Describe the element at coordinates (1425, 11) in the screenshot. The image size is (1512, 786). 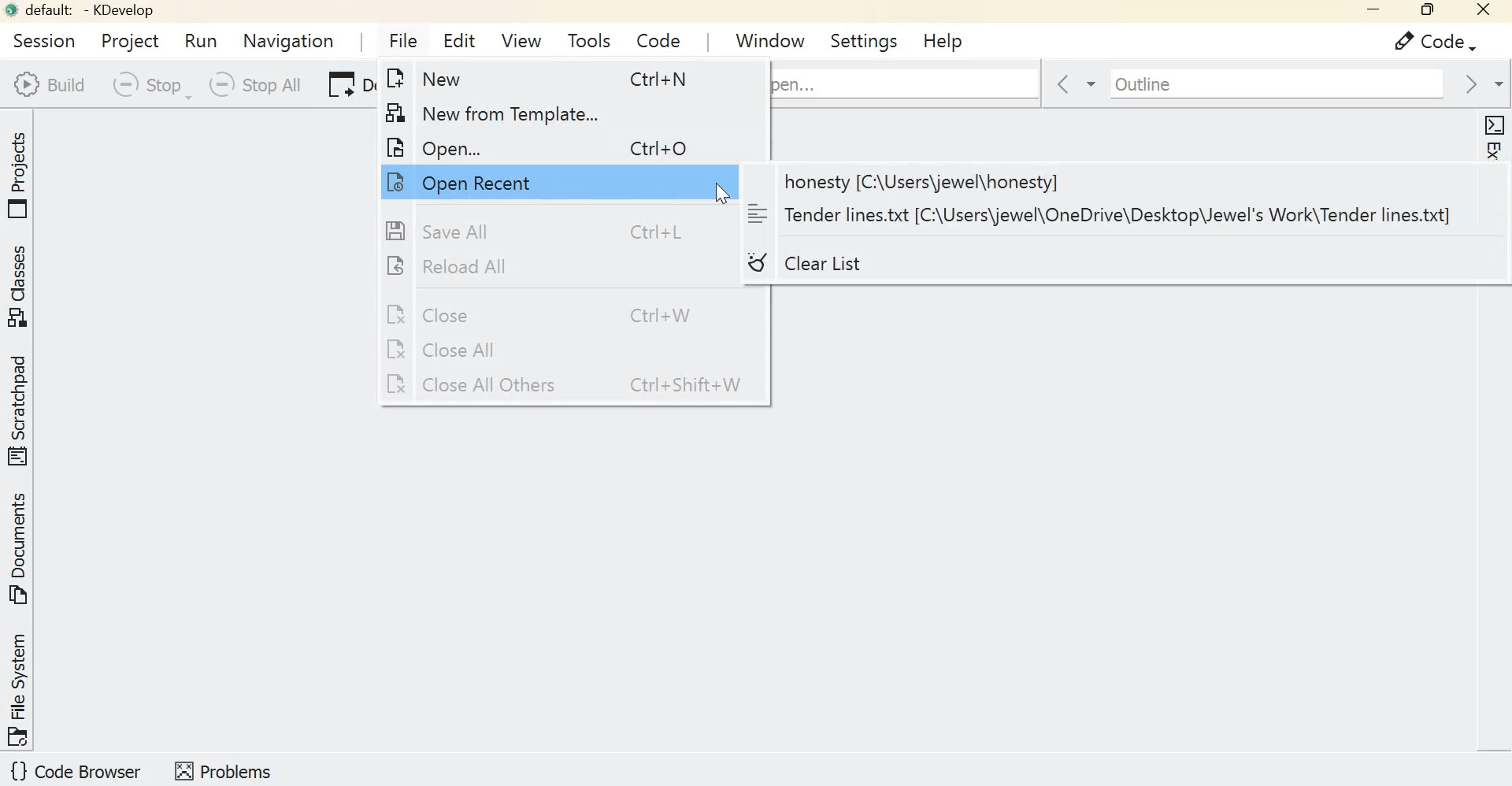
I see `Maximize` at that location.